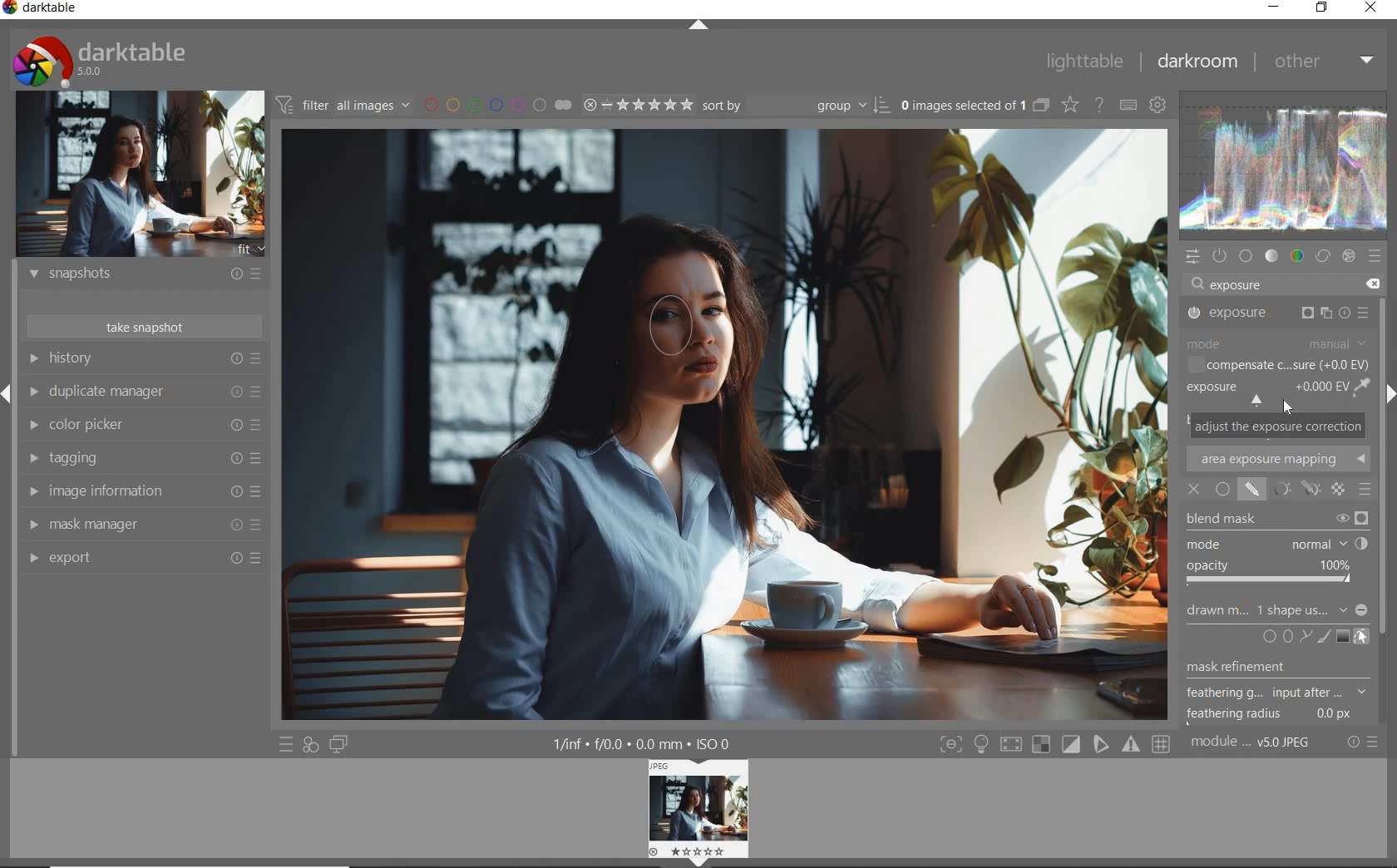 The height and width of the screenshot is (868, 1397). What do you see at coordinates (1276, 520) in the screenshot?
I see `BLEND MASK` at bounding box center [1276, 520].